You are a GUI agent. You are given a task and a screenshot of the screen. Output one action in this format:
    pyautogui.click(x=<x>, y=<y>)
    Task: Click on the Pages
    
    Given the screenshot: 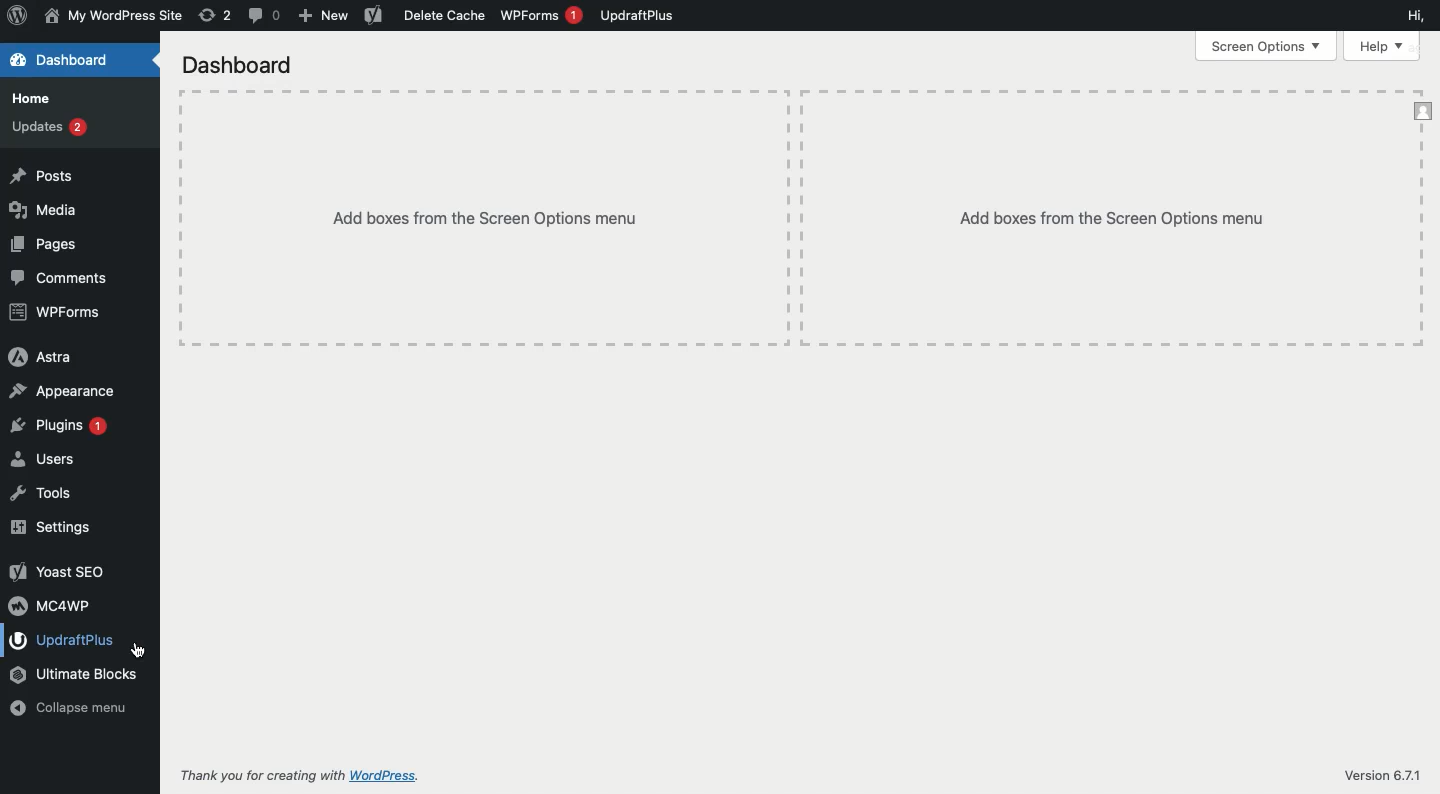 What is the action you would take?
    pyautogui.click(x=47, y=243)
    